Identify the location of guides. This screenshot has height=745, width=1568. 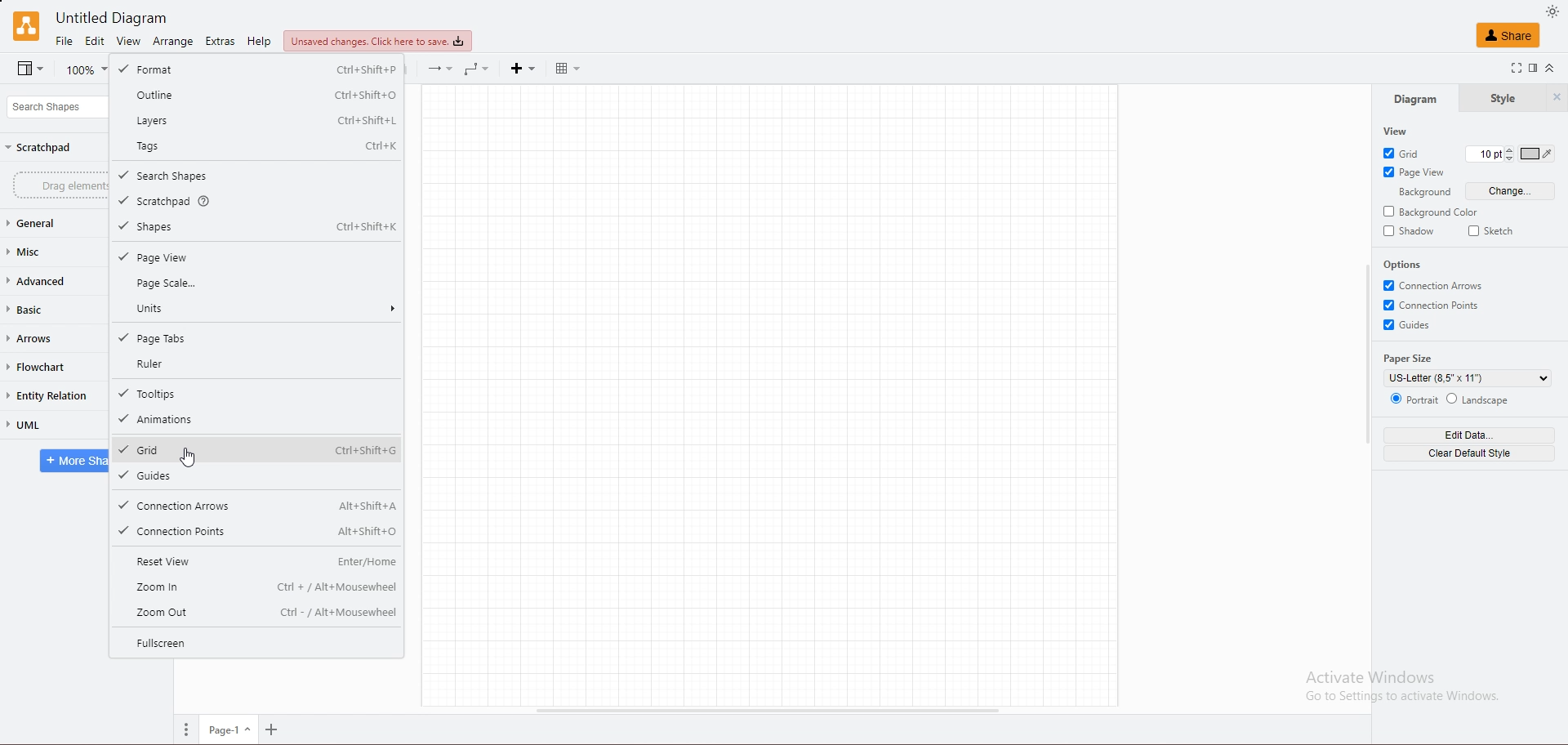
(1413, 325).